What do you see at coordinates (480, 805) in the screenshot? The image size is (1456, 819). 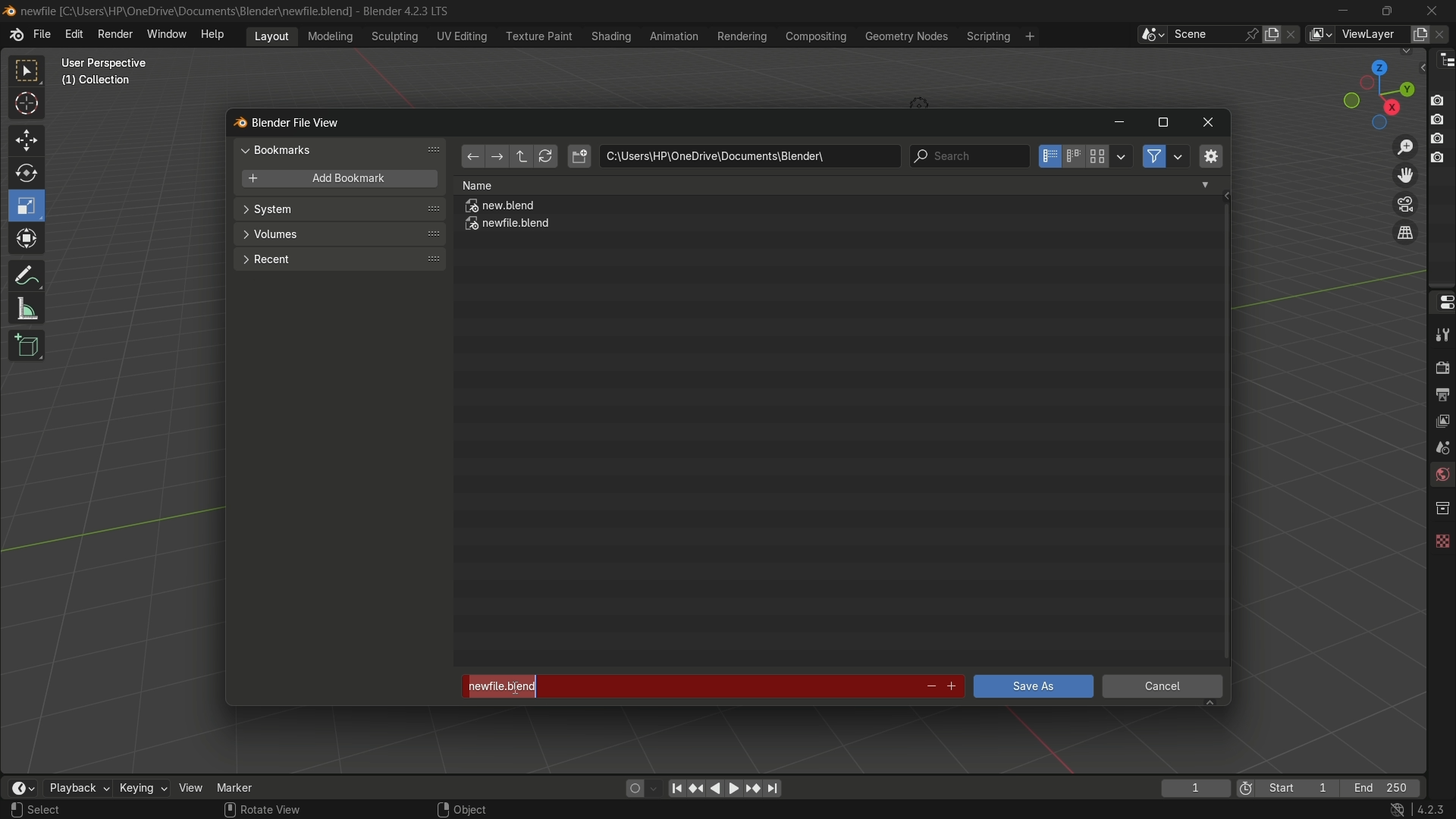 I see `Object` at bounding box center [480, 805].